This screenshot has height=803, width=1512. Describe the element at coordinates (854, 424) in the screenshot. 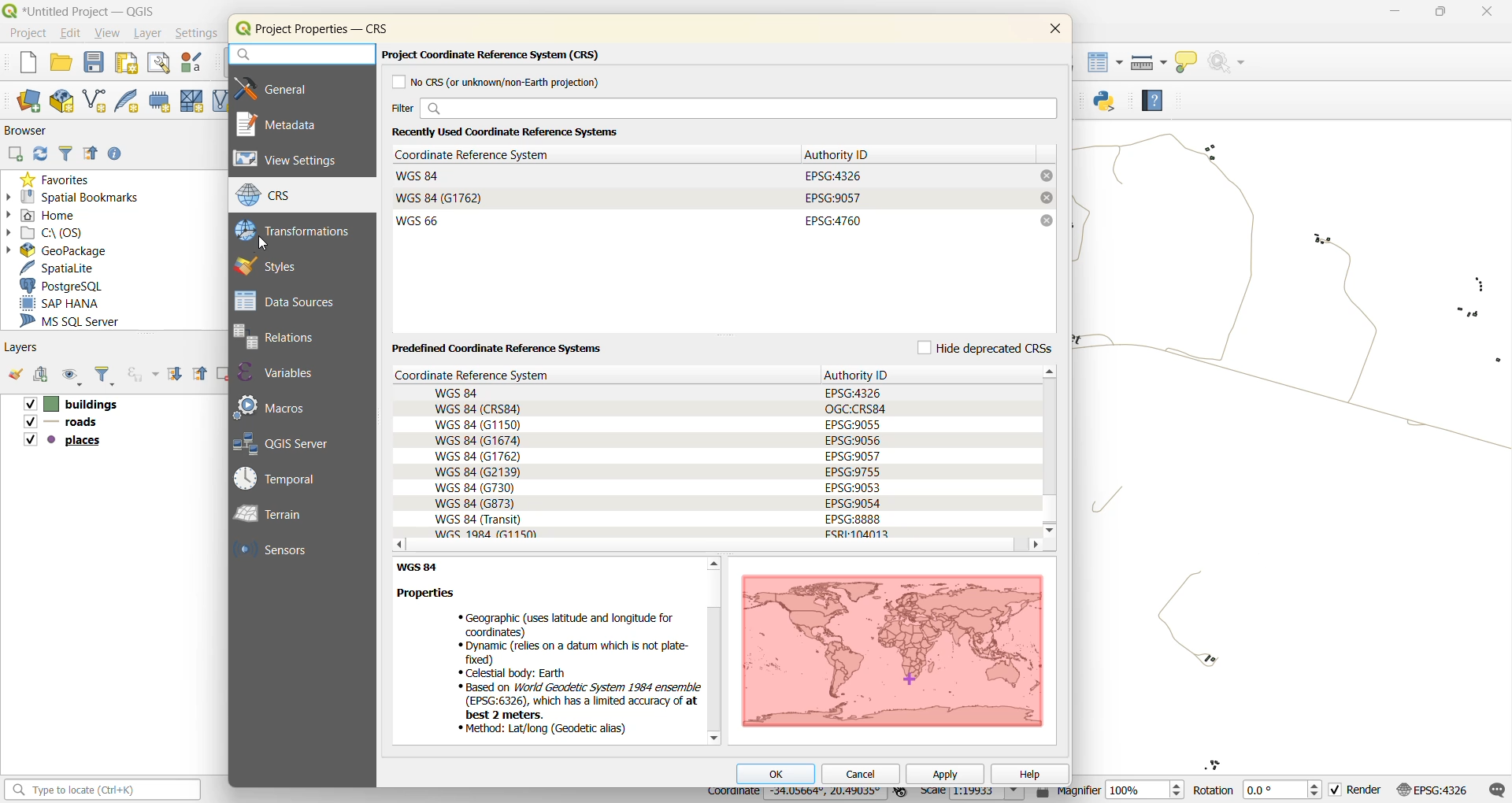

I see `EPSG:9055` at that location.